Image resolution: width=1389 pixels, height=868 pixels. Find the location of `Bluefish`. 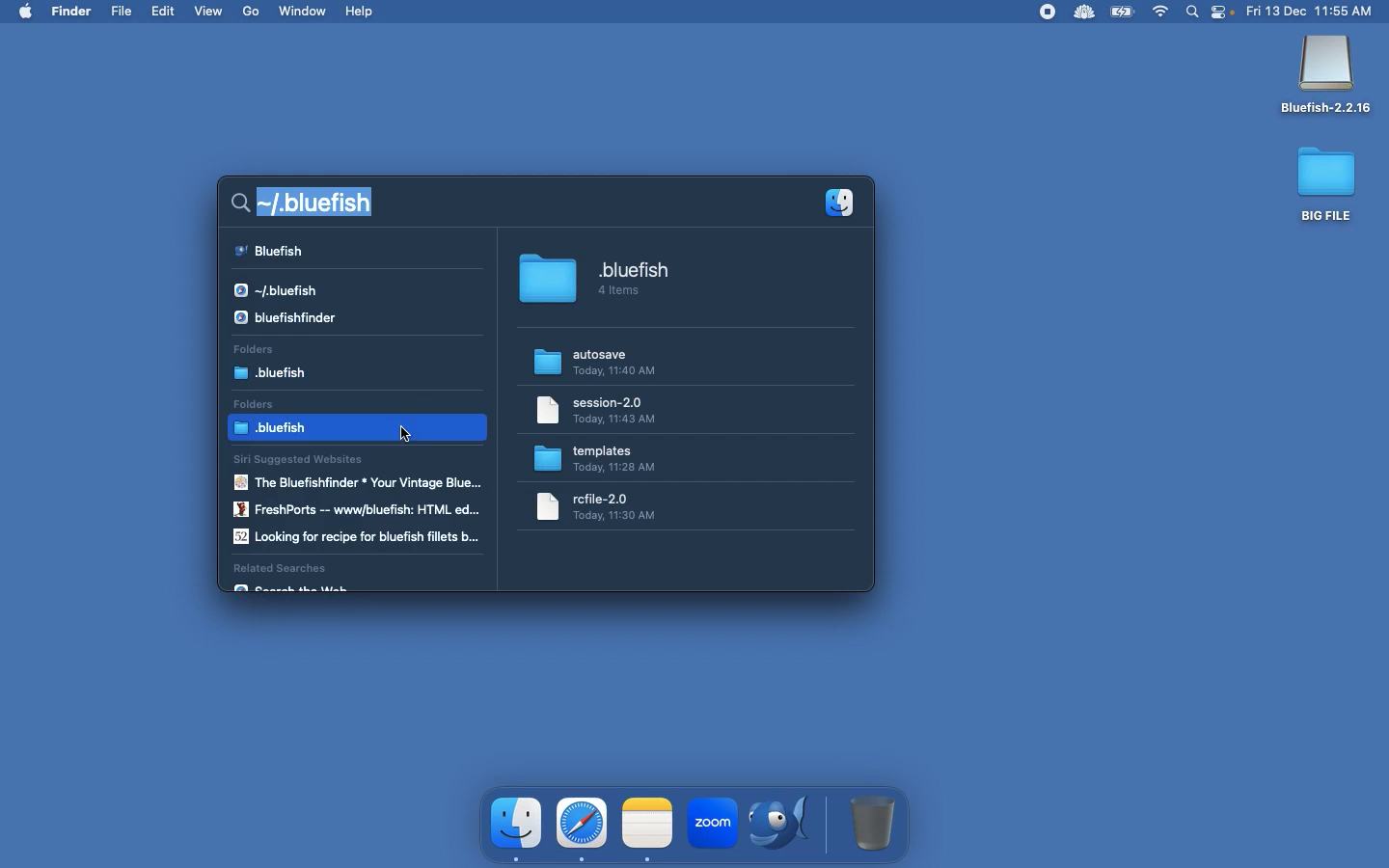

Bluefish is located at coordinates (785, 826).